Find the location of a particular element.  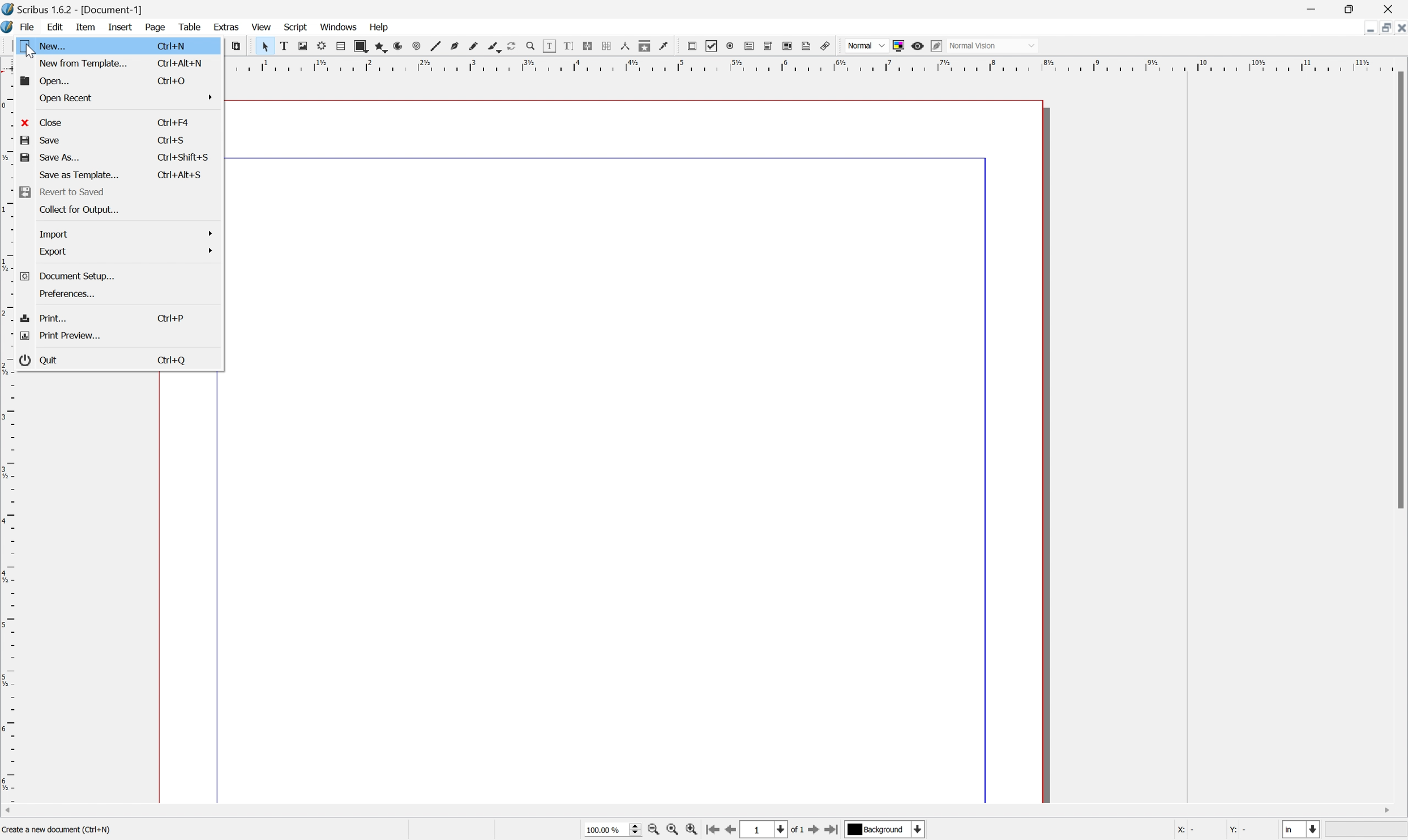

Shape is located at coordinates (357, 45).